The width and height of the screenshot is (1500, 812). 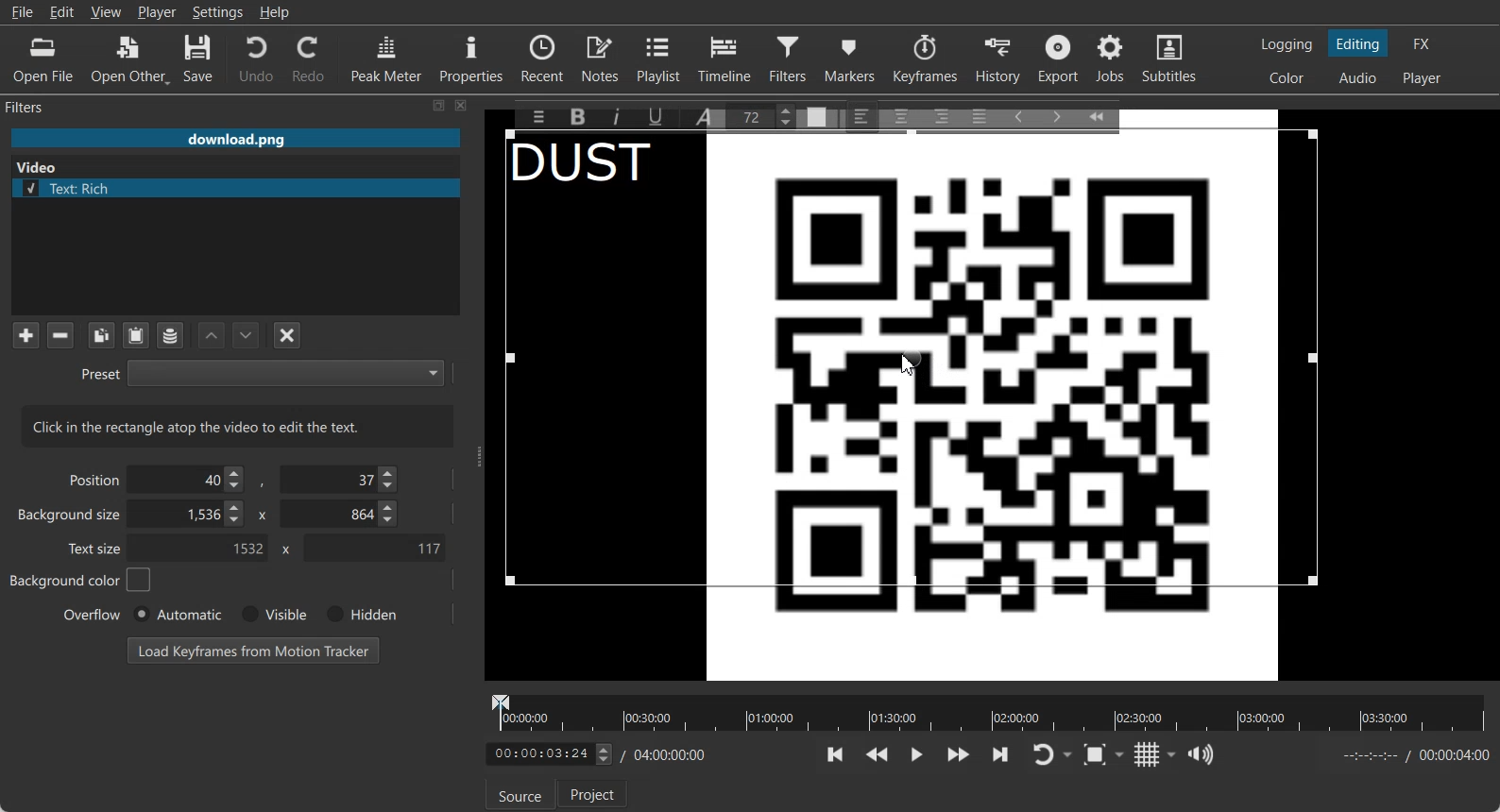 I want to click on Markers, so click(x=851, y=58).